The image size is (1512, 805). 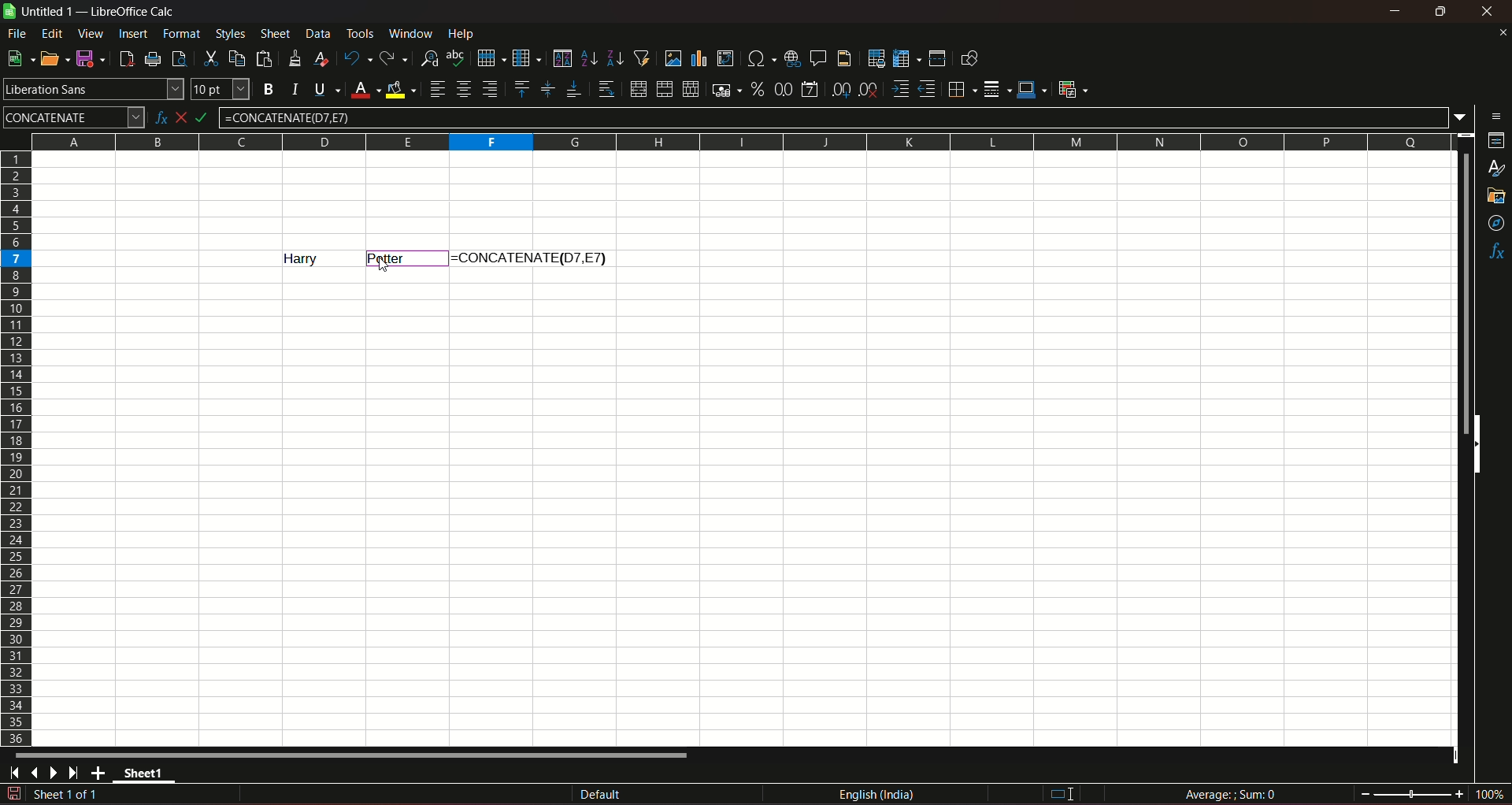 I want to click on column, so click(x=525, y=57).